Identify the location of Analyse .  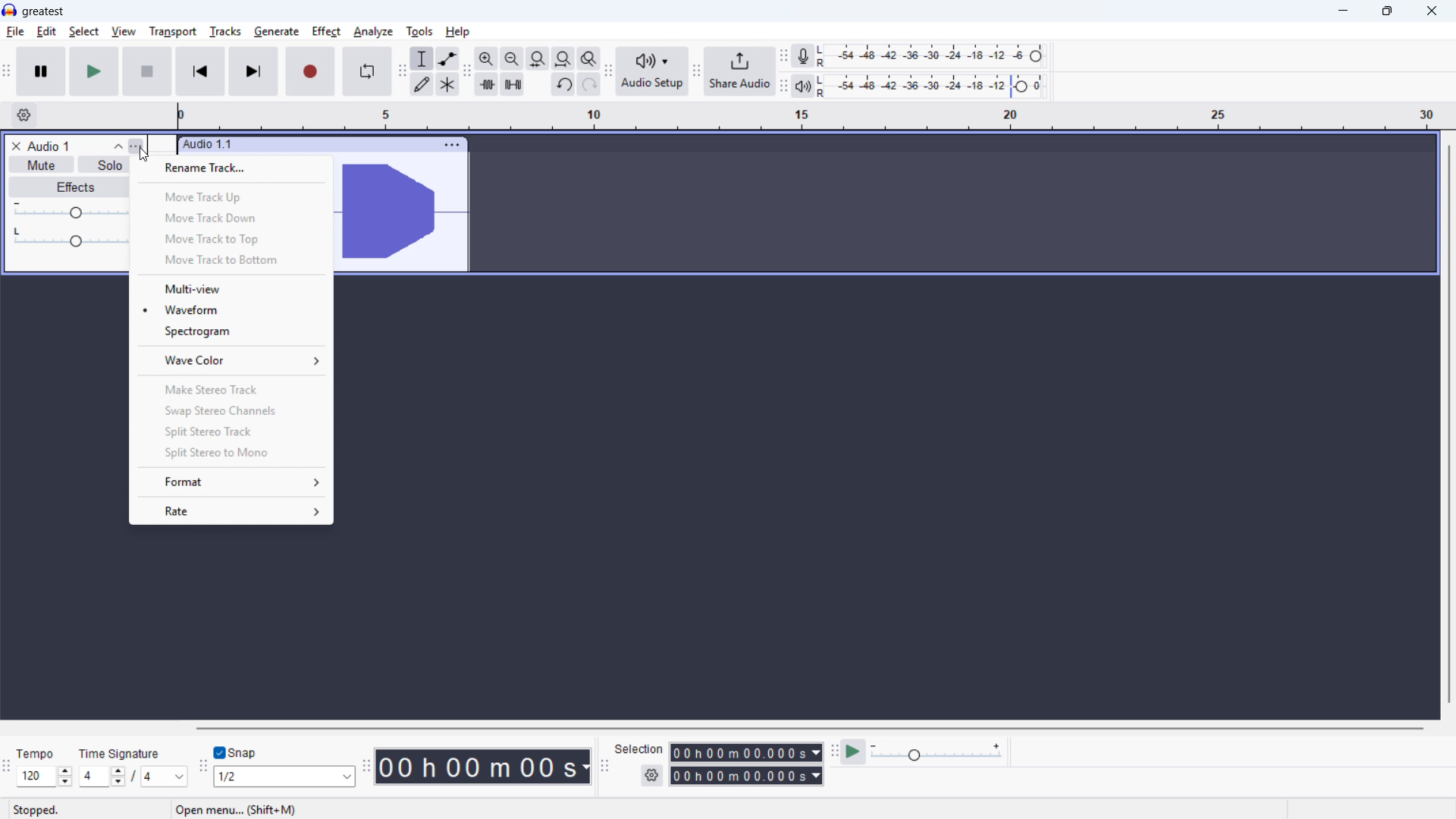
(372, 33).